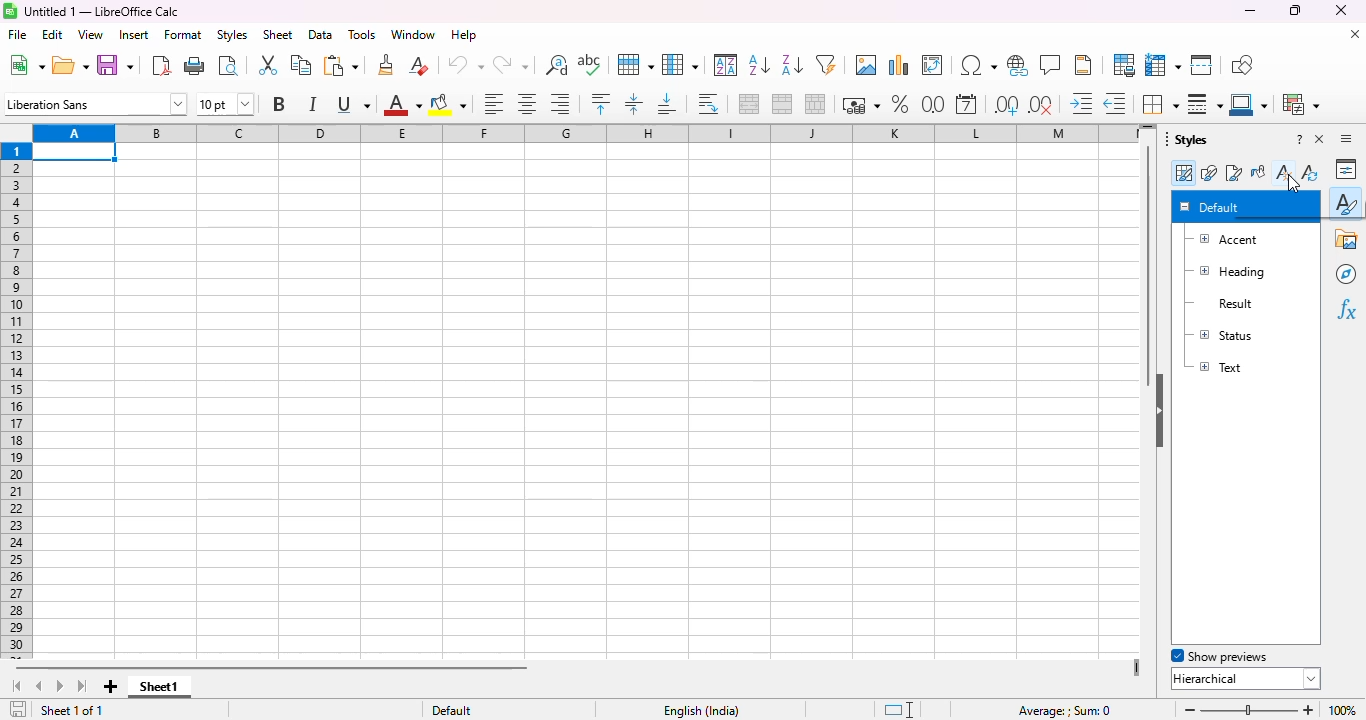 This screenshot has width=1366, height=720. What do you see at coordinates (933, 65) in the screenshot?
I see `insert or edit pivot table` at bounding box center [933, 65].